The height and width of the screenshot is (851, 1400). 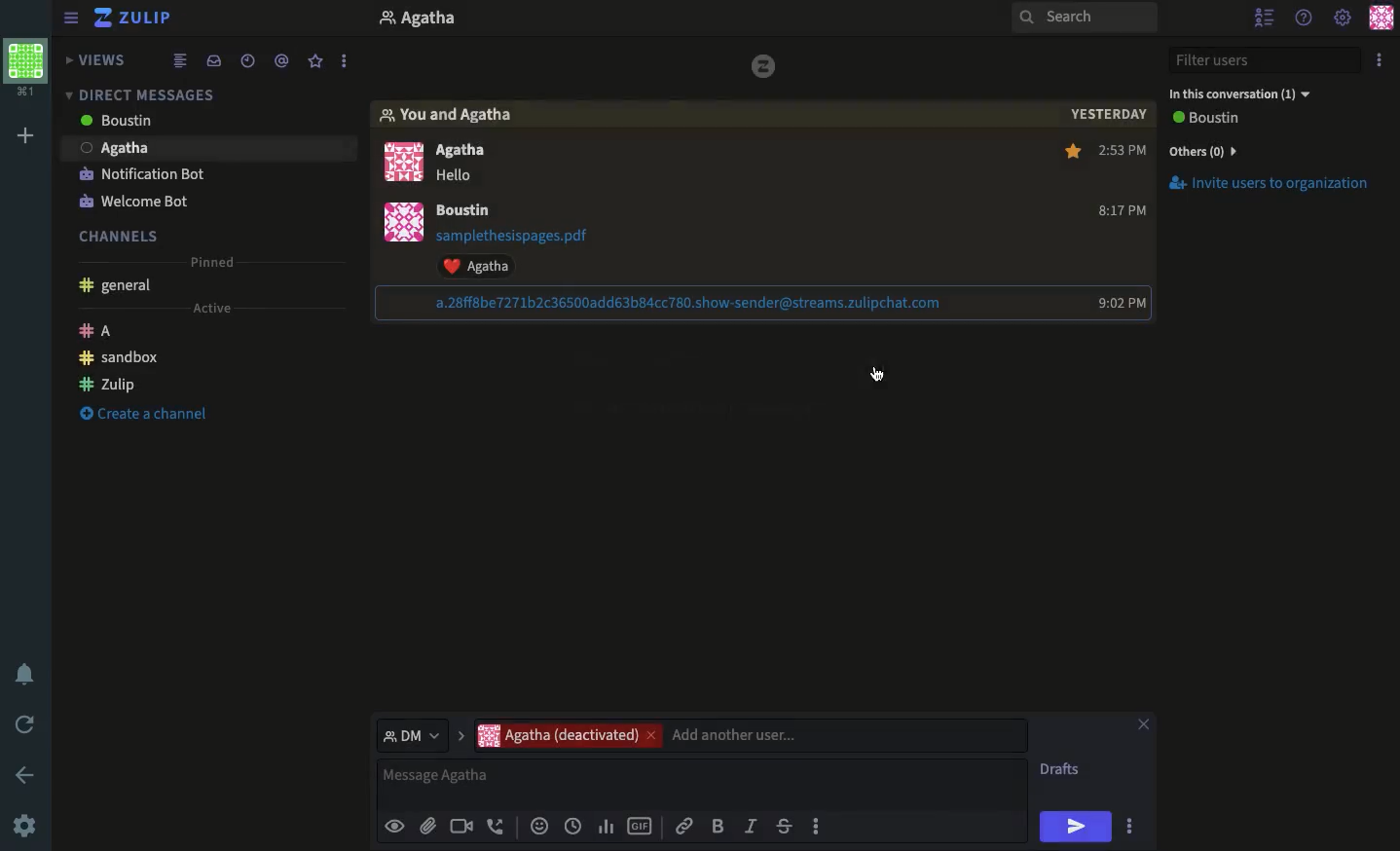 I want to click on PDF attachment, so click(x=531, y=236).